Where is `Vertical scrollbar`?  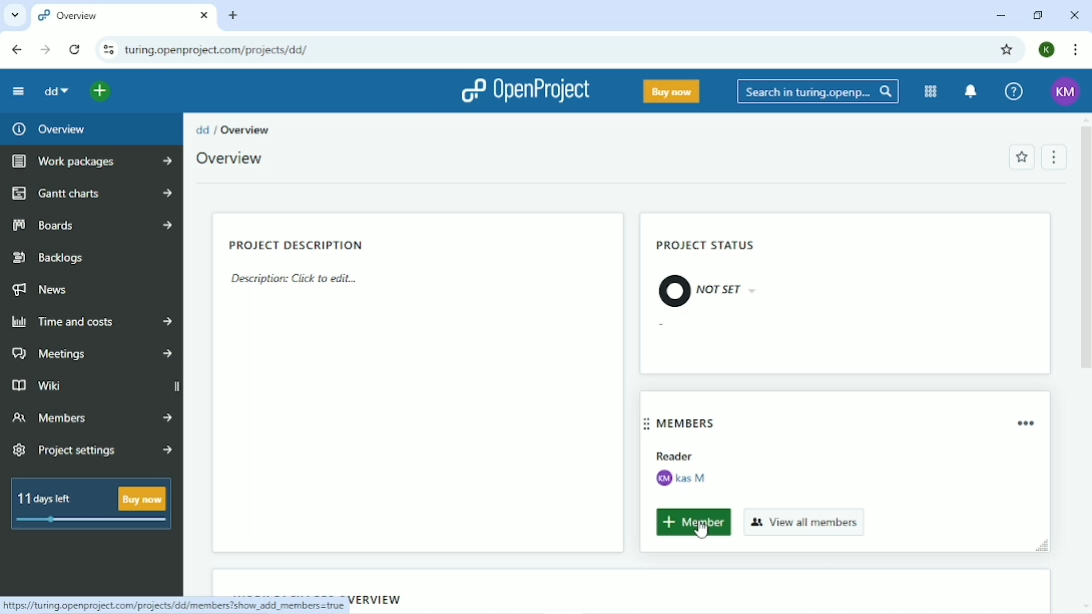 Vertical scrollbar is located at coordinates (1085, 254).